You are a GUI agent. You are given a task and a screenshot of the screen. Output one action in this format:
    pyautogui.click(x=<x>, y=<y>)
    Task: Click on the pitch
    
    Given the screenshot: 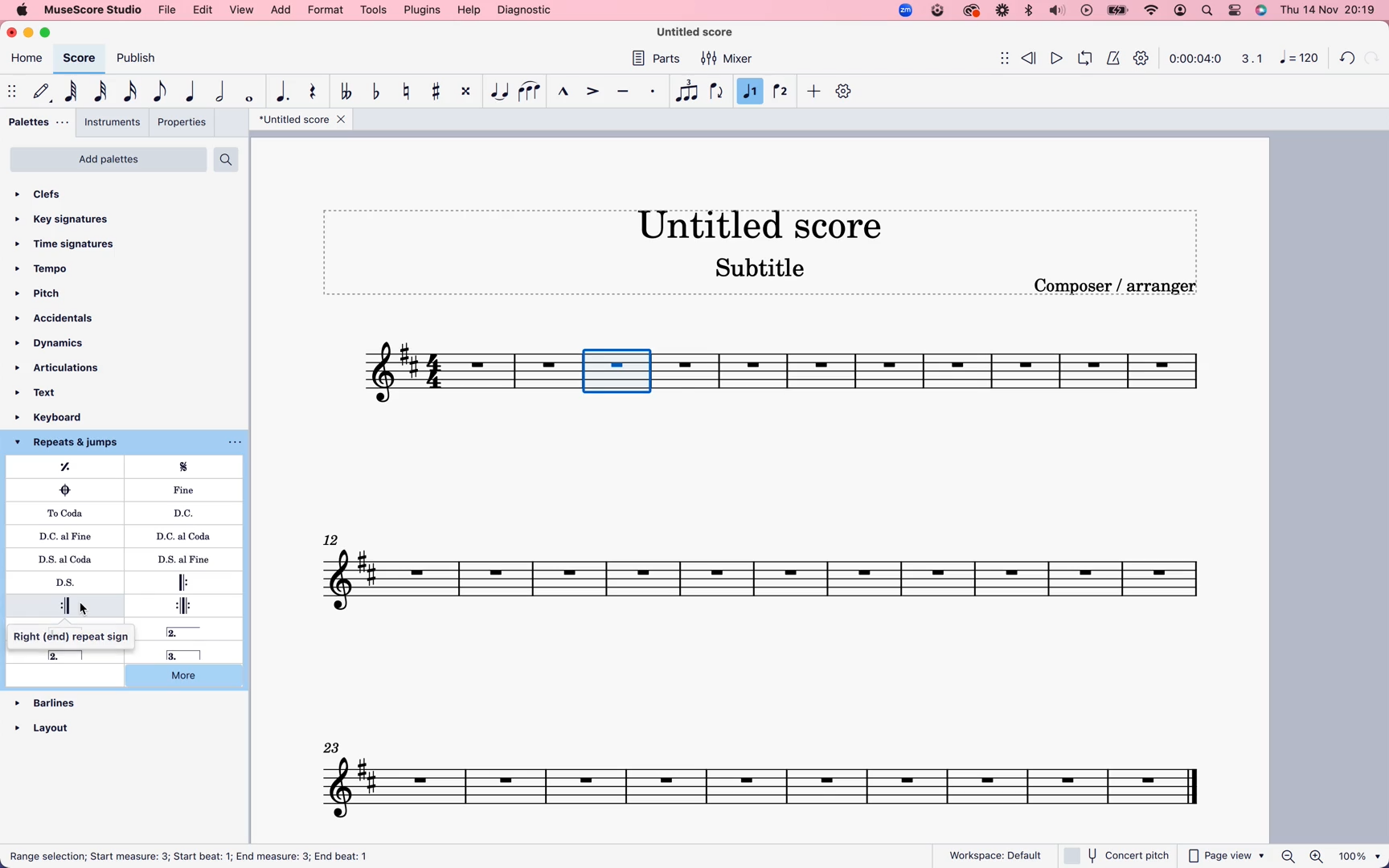 What is the action you would take?
    pyautogui.click(x=50, y=294)
    